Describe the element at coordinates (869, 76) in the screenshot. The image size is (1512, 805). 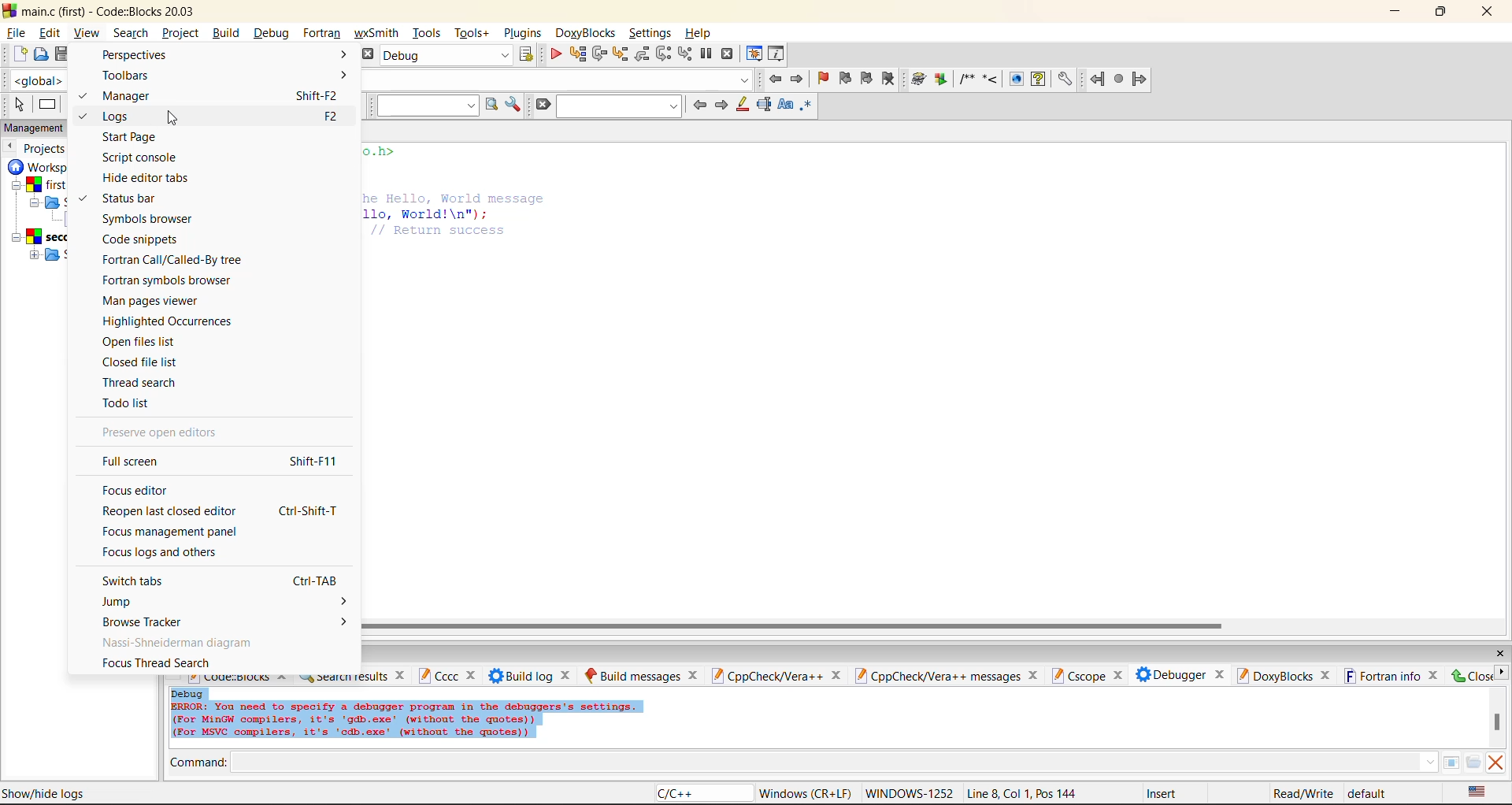
I see `next bookmark` at that location.